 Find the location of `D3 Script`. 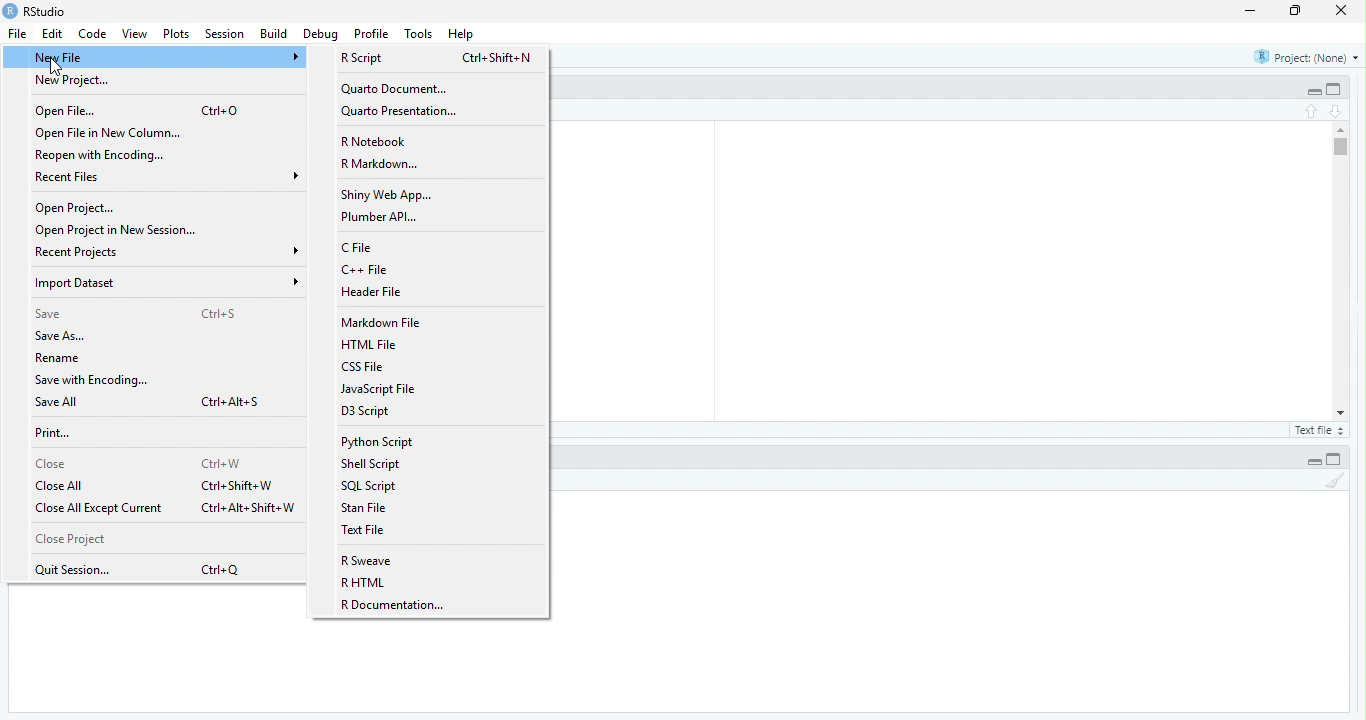

D3 Script is located at coordinates (367, 410).